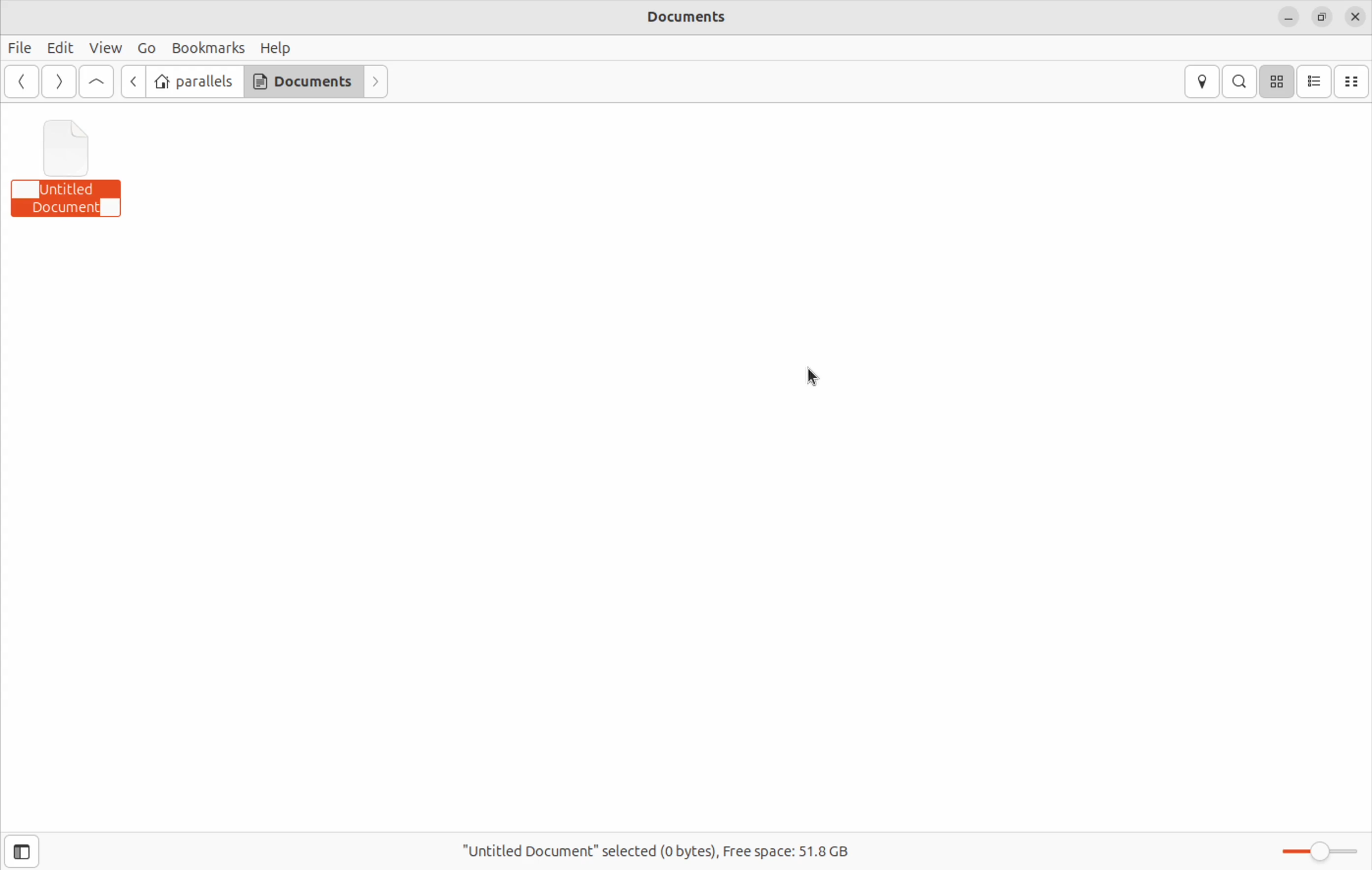  Describe the element at coordinates (1237, 81) in the screenshot. I see `search bar` at that location.